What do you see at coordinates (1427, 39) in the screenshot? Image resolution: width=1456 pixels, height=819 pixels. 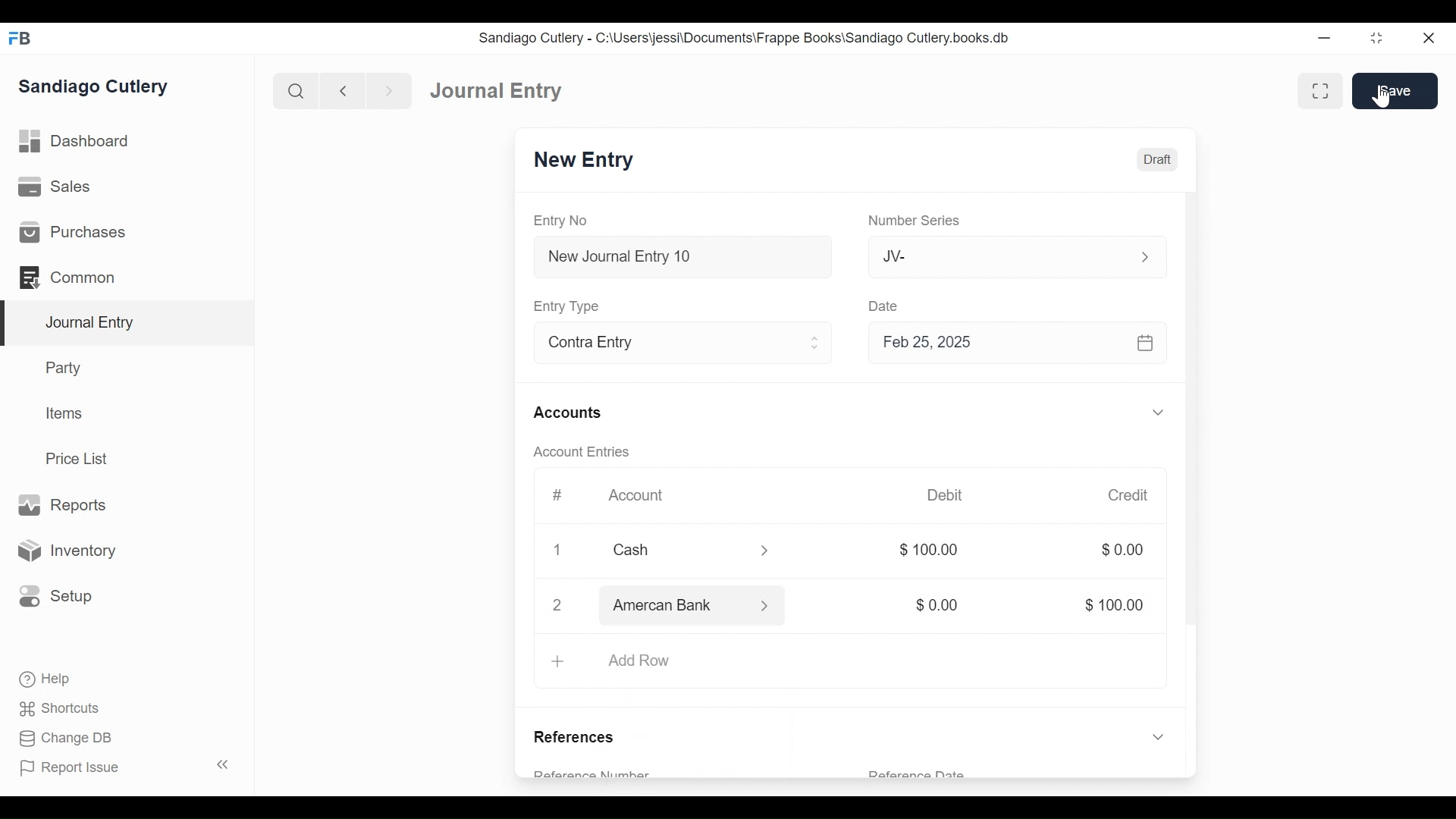 I see `Close` at bounding box center [1427, 39].